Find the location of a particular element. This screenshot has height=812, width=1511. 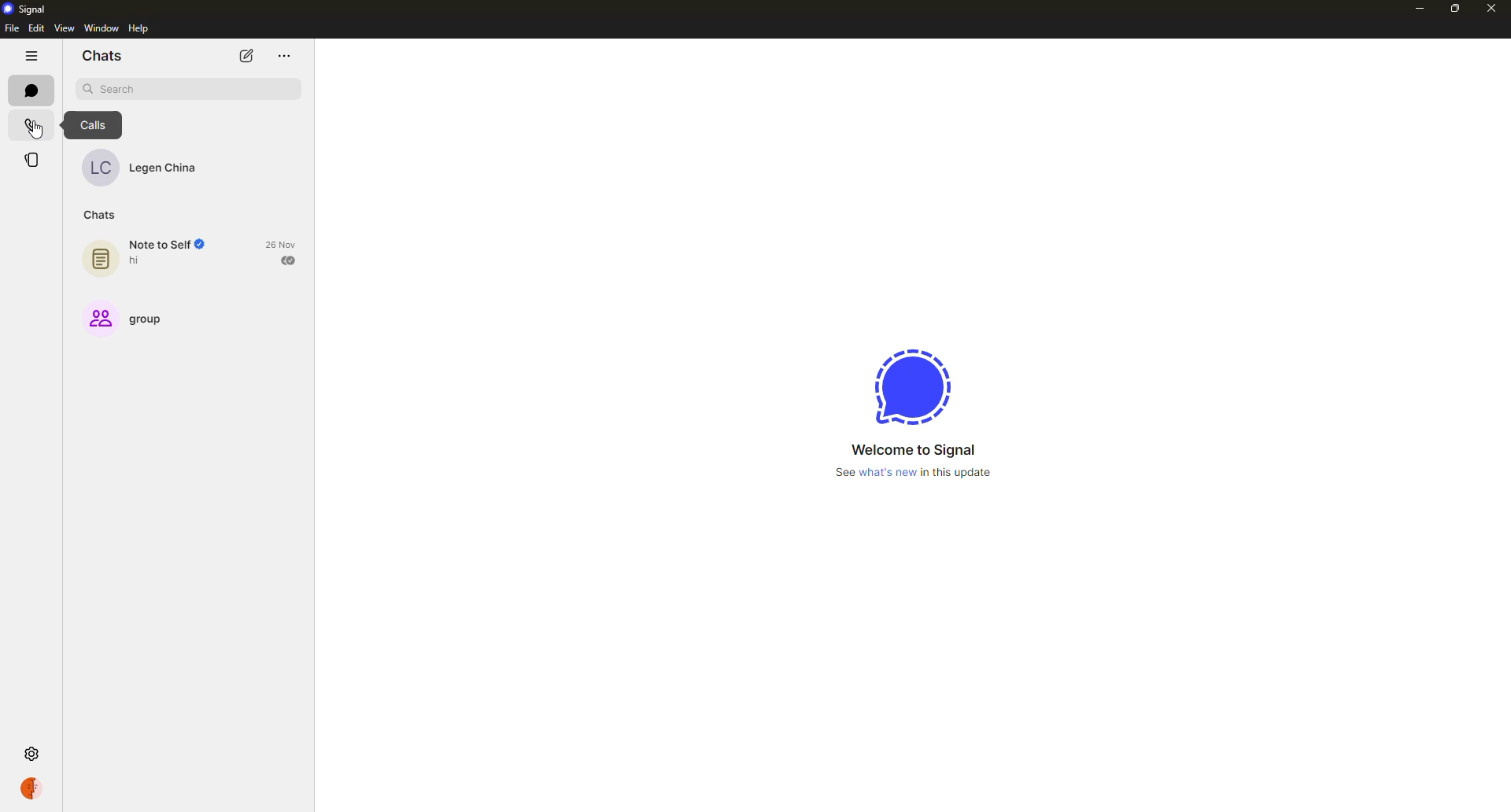

window is located at coordinates (102, 28).